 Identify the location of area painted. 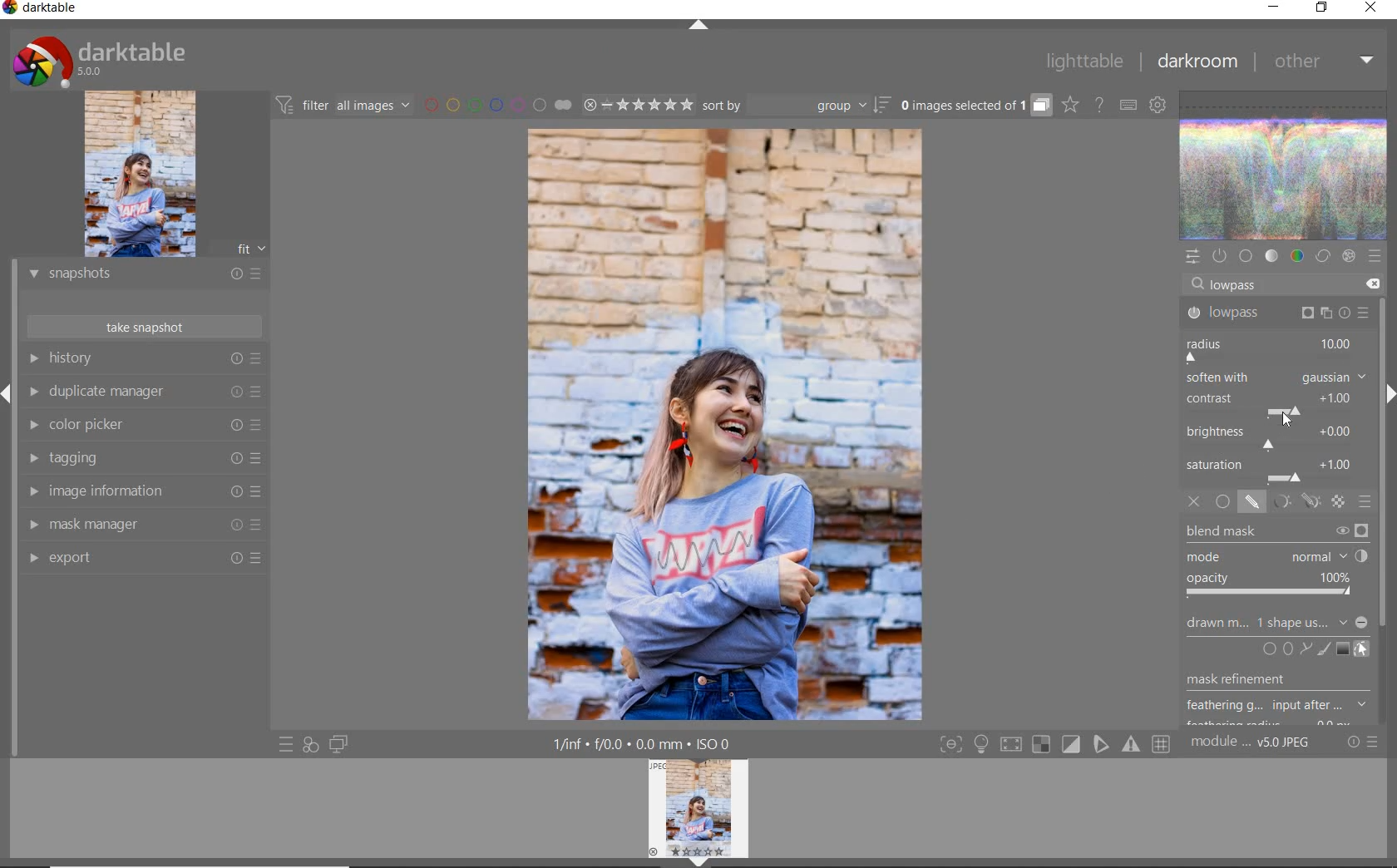
(708, 550).